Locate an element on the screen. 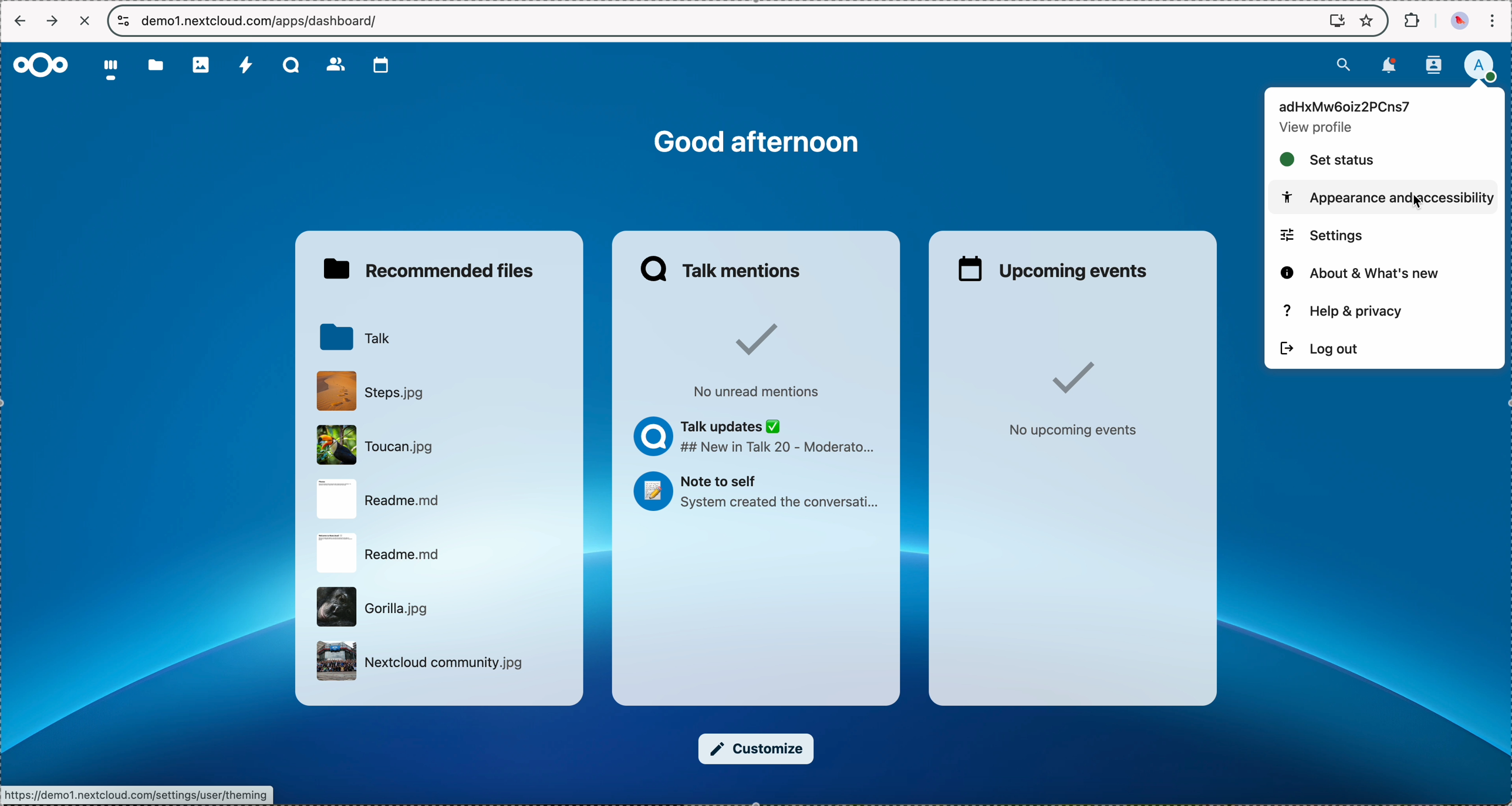 Image resolution: width=1512 pixels, height=806 pixels. talk updates is located at coordinates (758, 437).